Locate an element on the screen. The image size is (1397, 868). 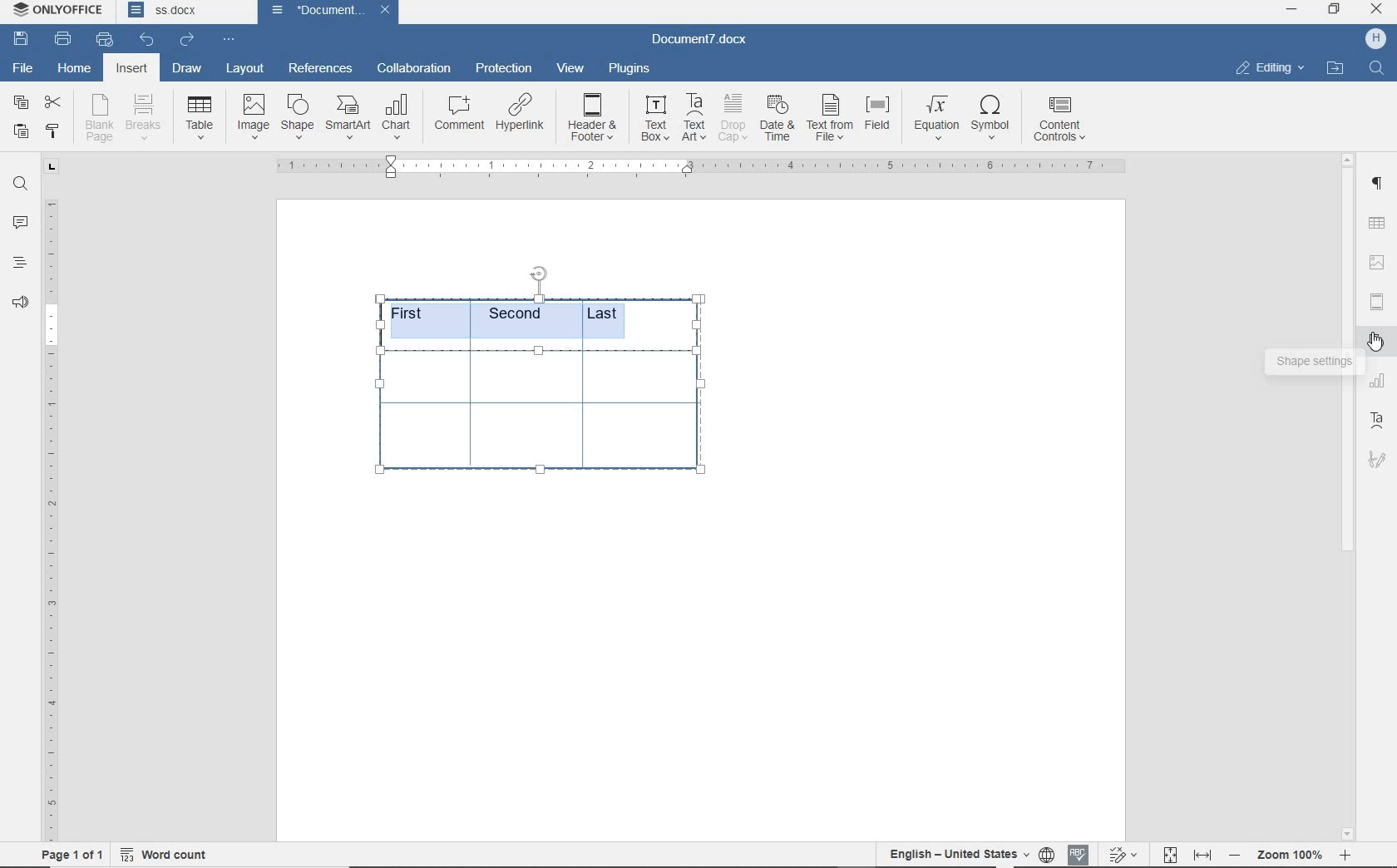
page 1 of 1 is located at coordinates (69, 852).